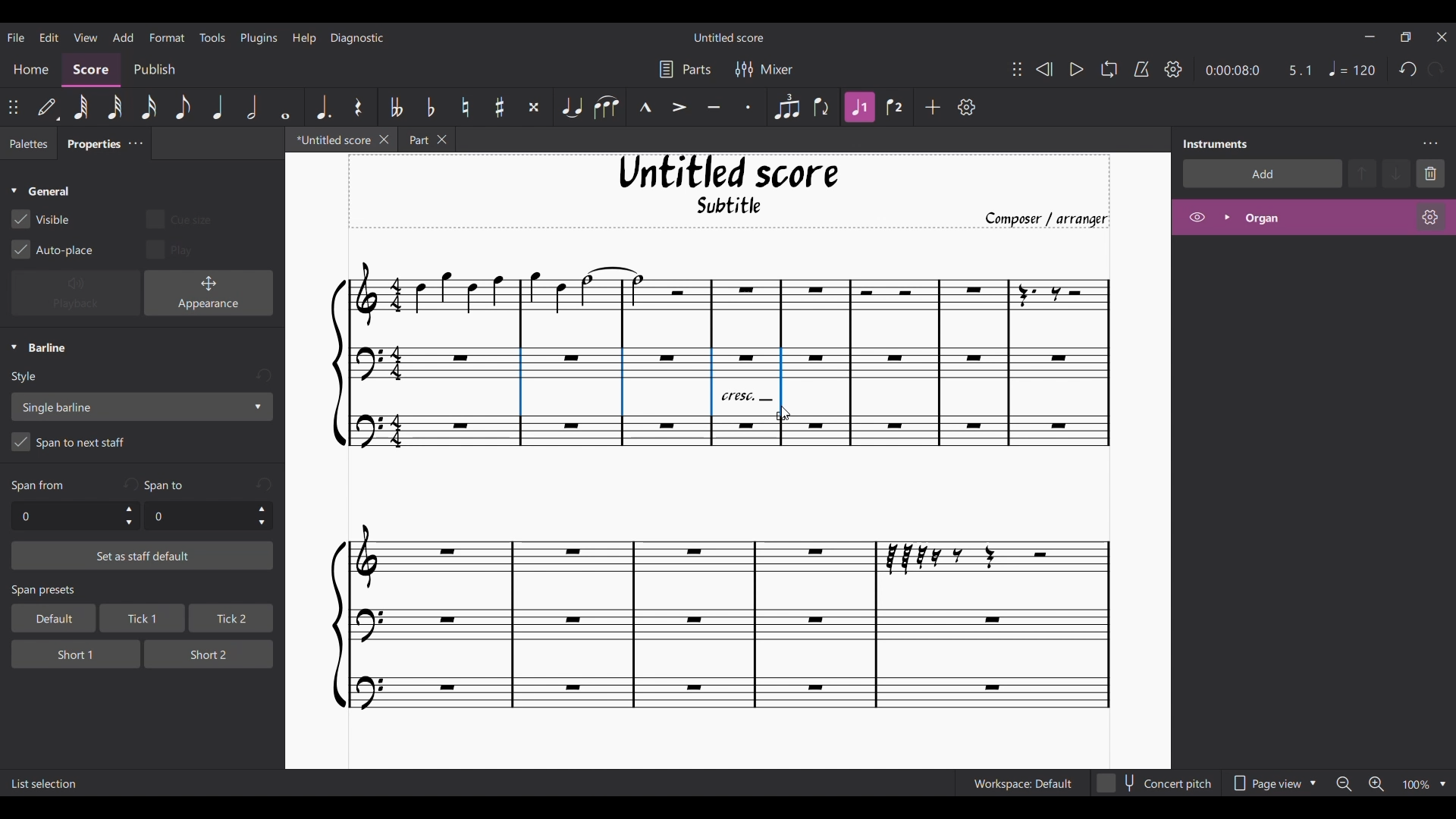  I want to click on Staccato, so click(749, 107).